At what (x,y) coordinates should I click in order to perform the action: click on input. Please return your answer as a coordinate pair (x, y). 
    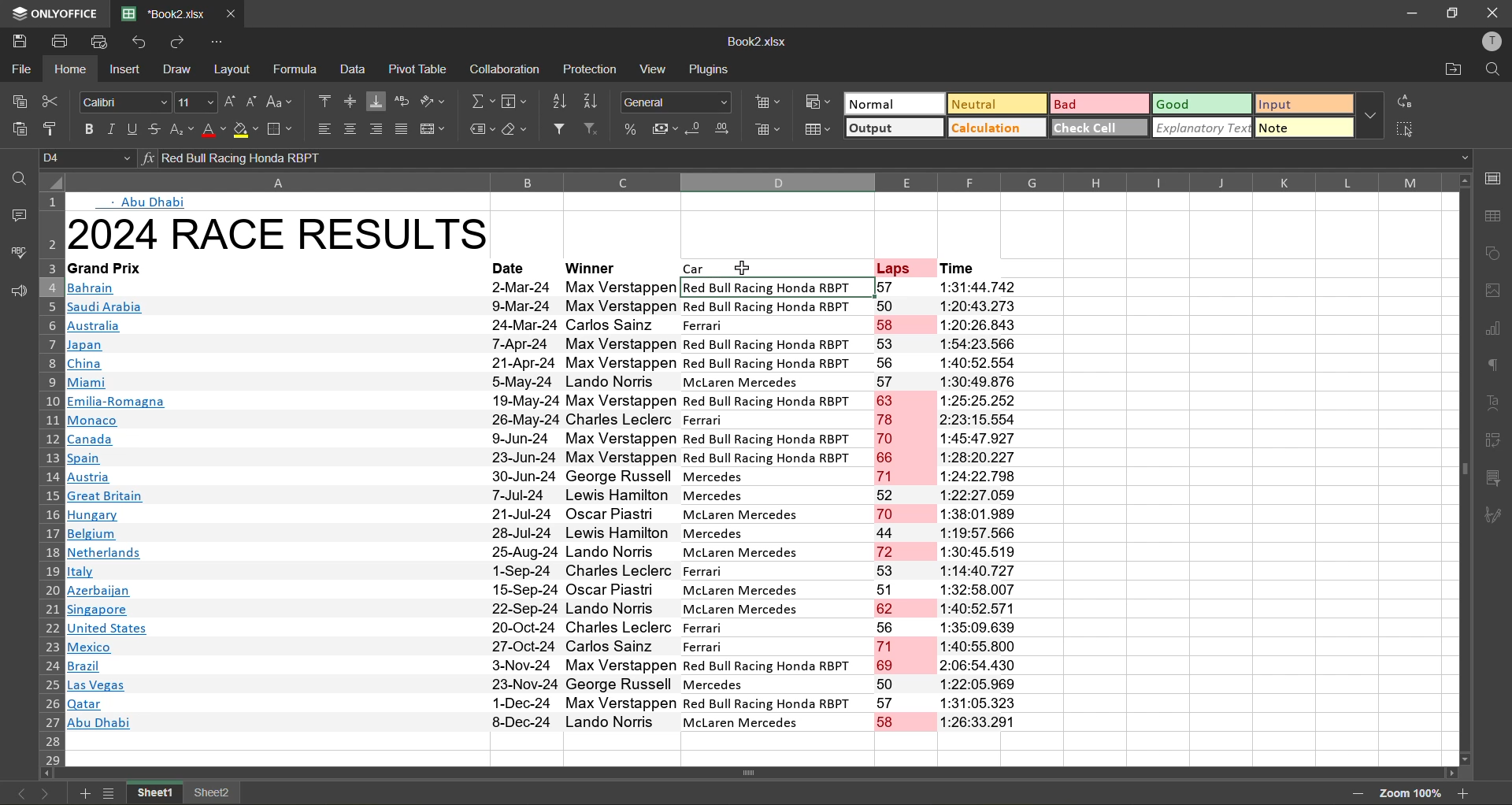
    Looking at the image, I should click on (1304, 106).